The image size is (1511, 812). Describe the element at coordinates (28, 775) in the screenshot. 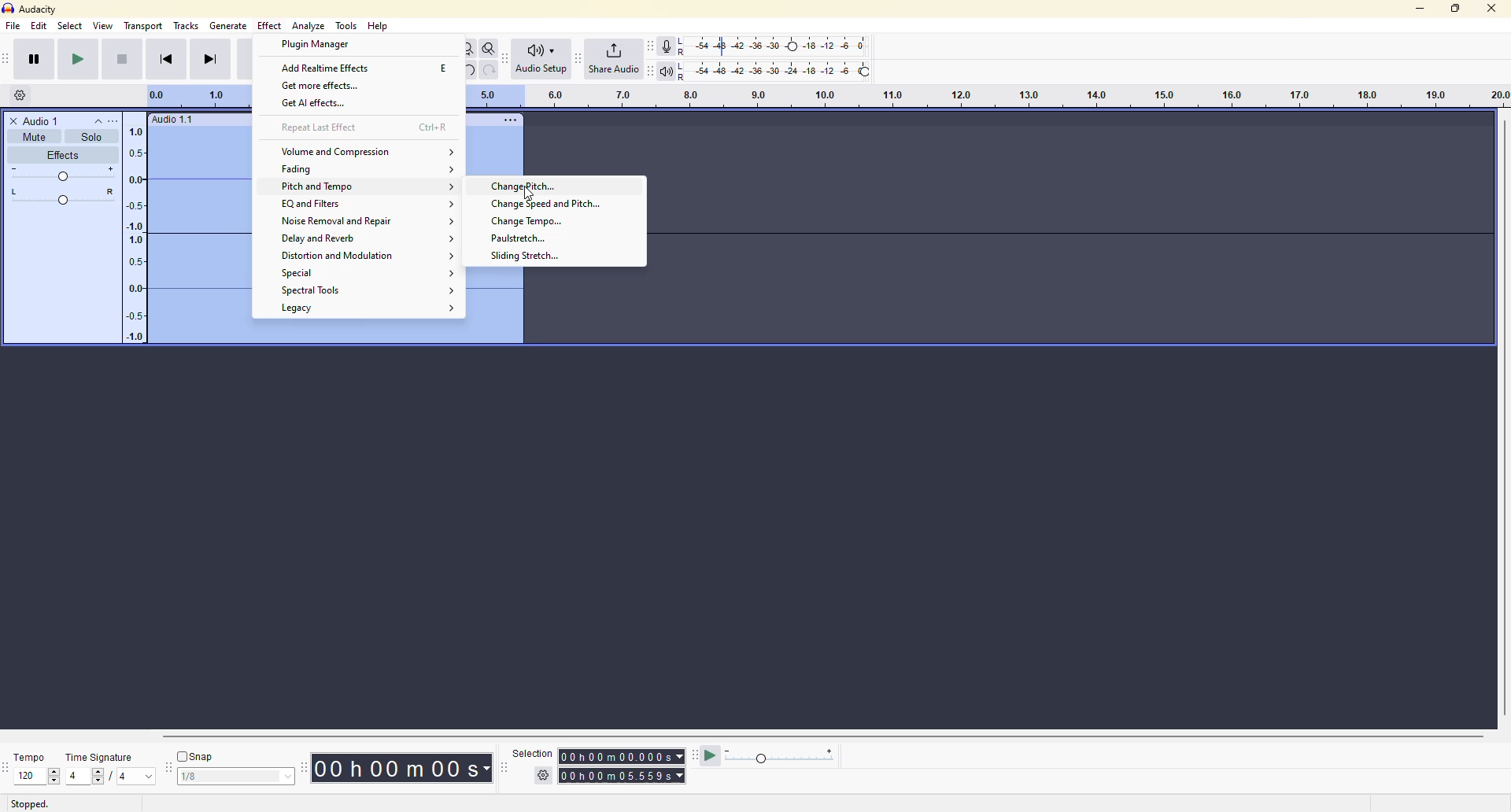

I see `120` at that location.